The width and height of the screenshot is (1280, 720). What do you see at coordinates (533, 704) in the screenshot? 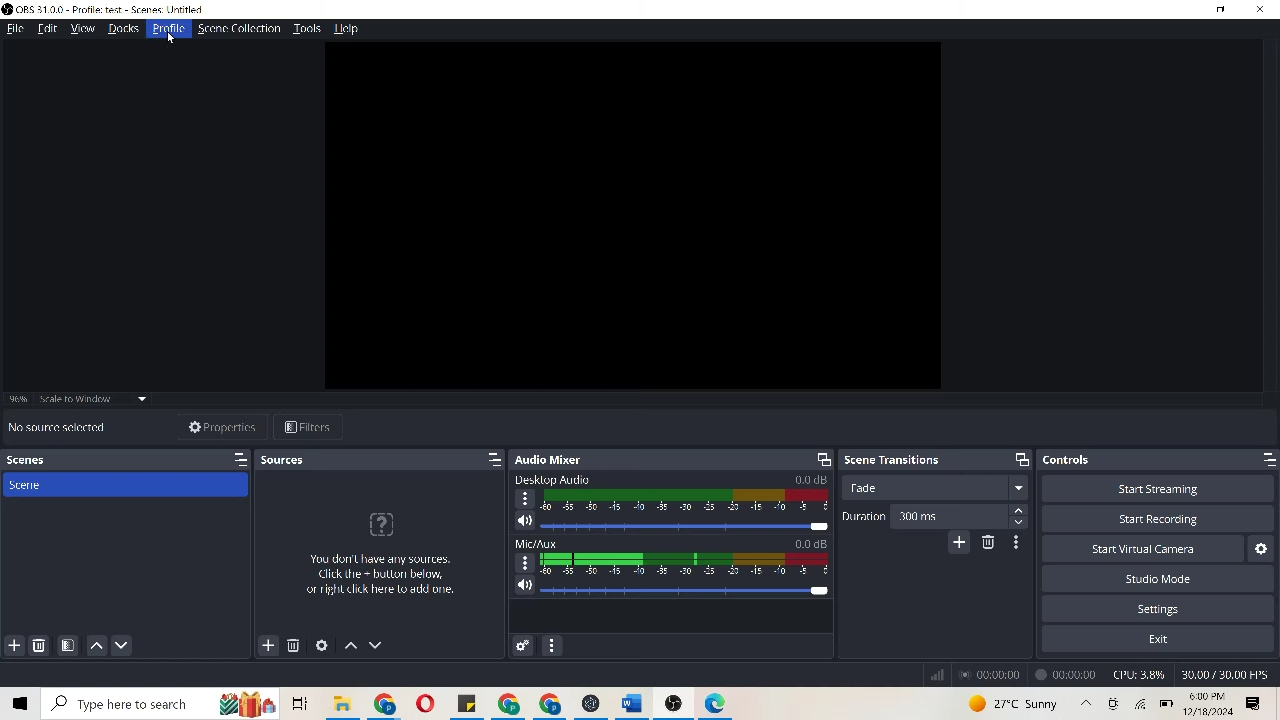
I see `chrome icon` at bounding box center [533, 704].